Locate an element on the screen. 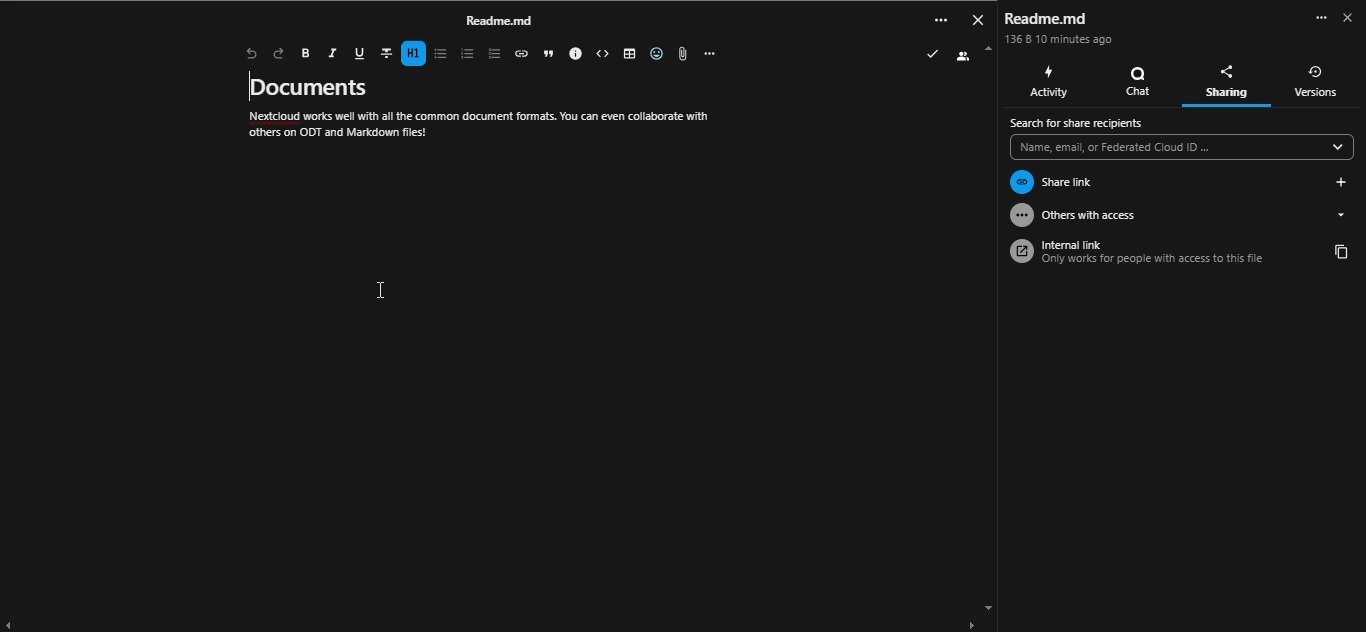  undo is located at coordinates (251, 53).